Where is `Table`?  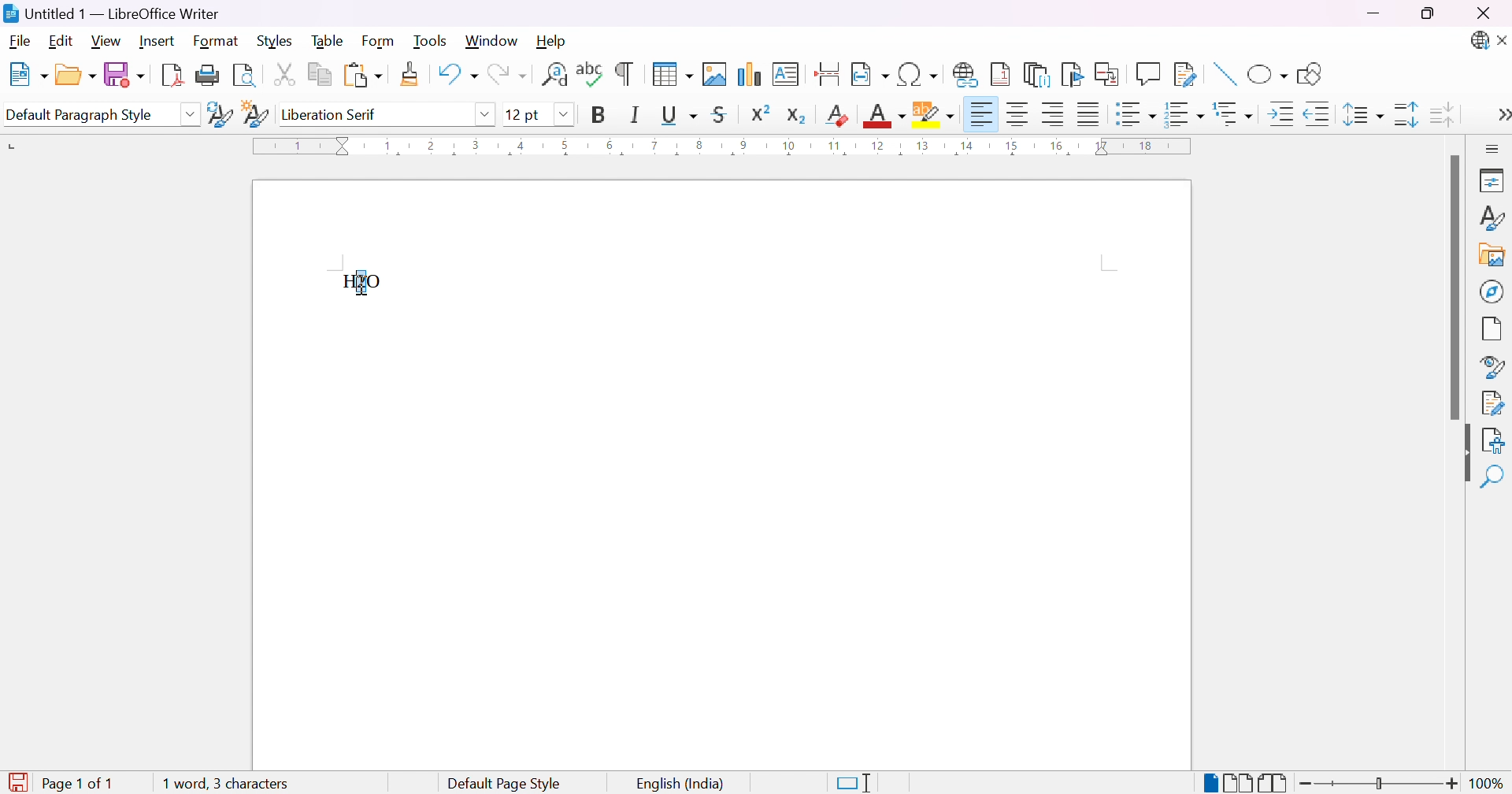
Table is located at coordinates (328, 39).